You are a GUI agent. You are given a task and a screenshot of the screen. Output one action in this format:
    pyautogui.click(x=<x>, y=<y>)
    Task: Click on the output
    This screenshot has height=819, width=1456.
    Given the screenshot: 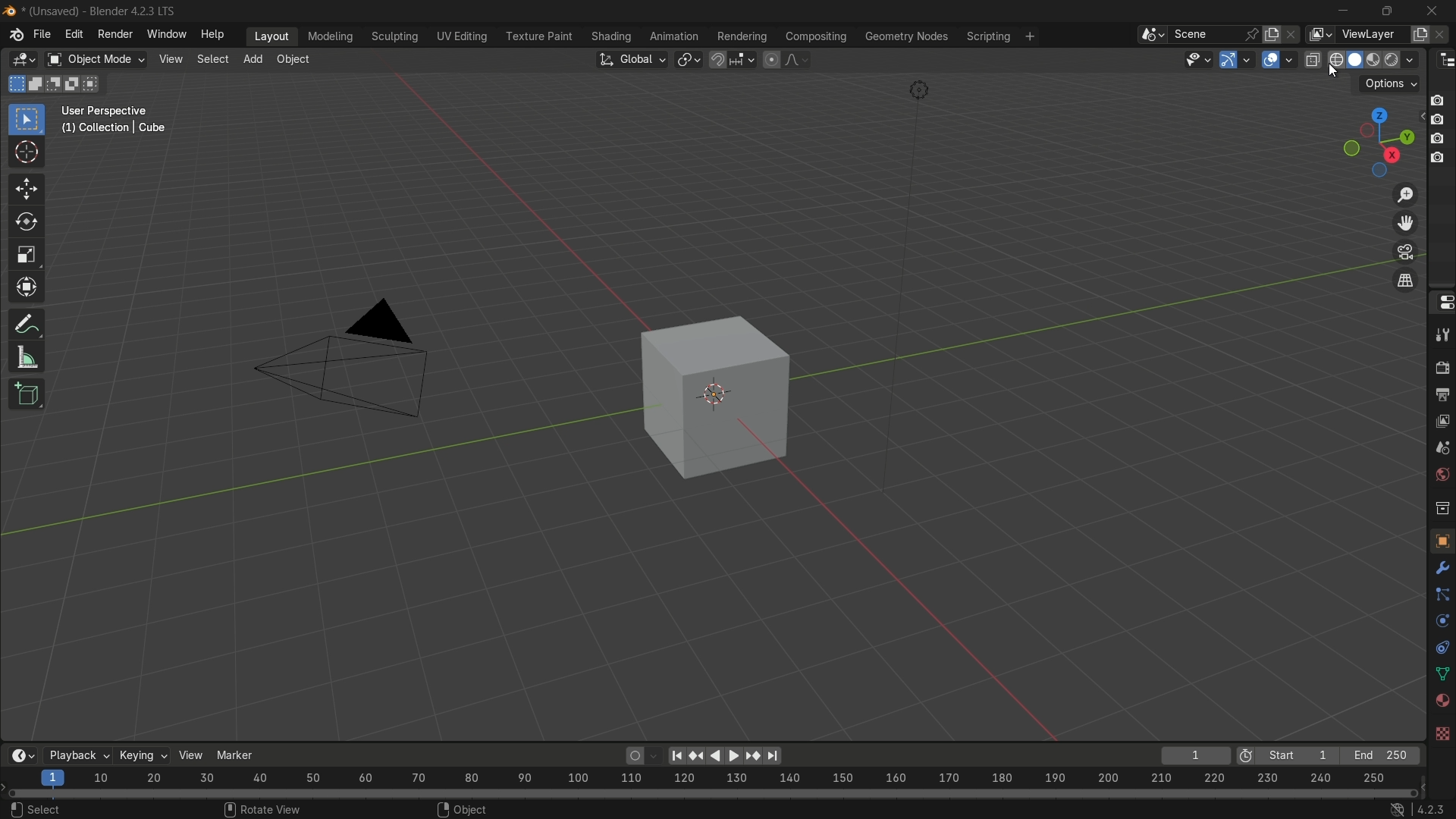 What is the action you would take?
    pyautogui.click(x=1439, y=393)
    